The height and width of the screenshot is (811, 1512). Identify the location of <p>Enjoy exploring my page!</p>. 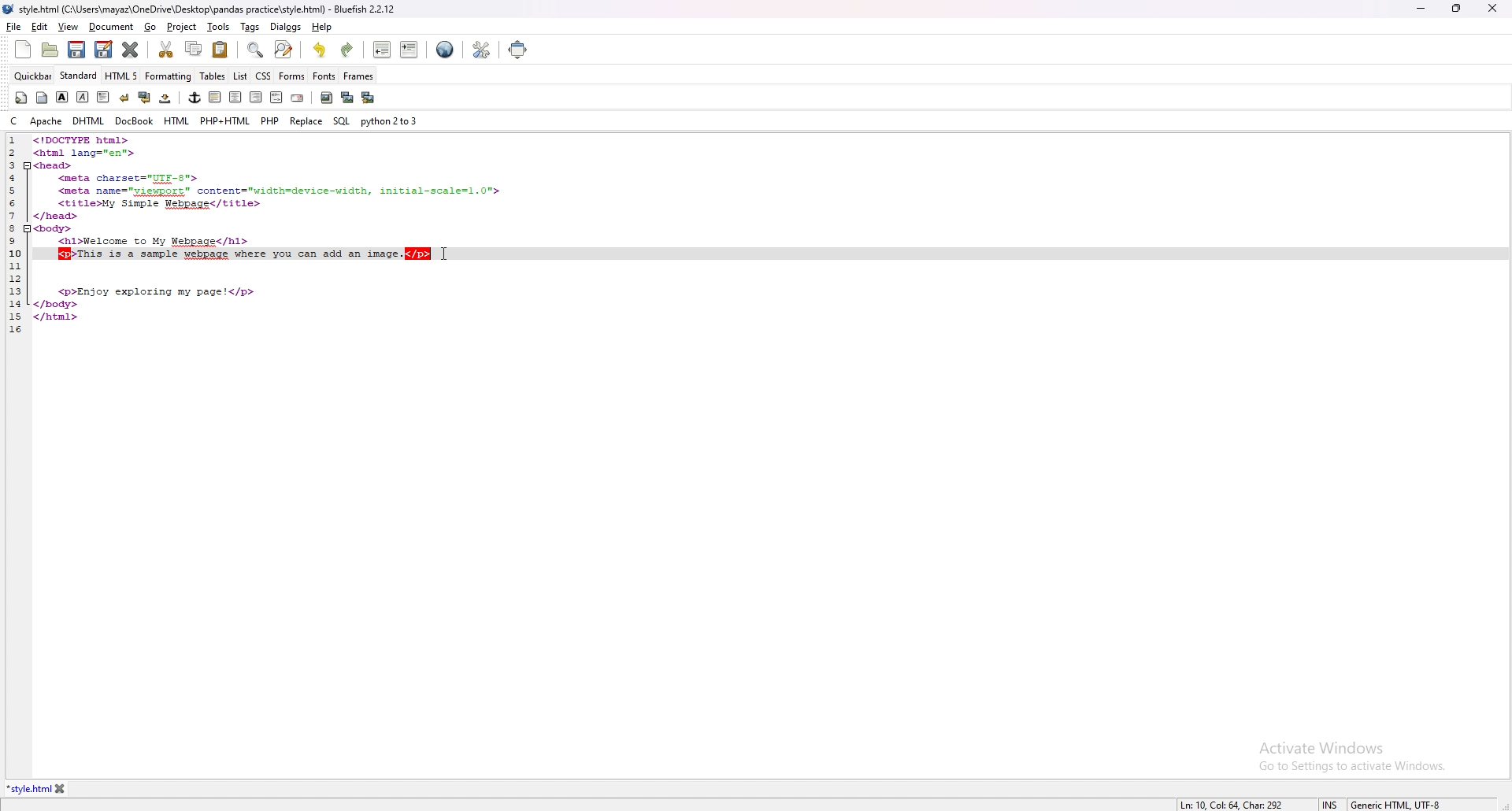
(158, 292).